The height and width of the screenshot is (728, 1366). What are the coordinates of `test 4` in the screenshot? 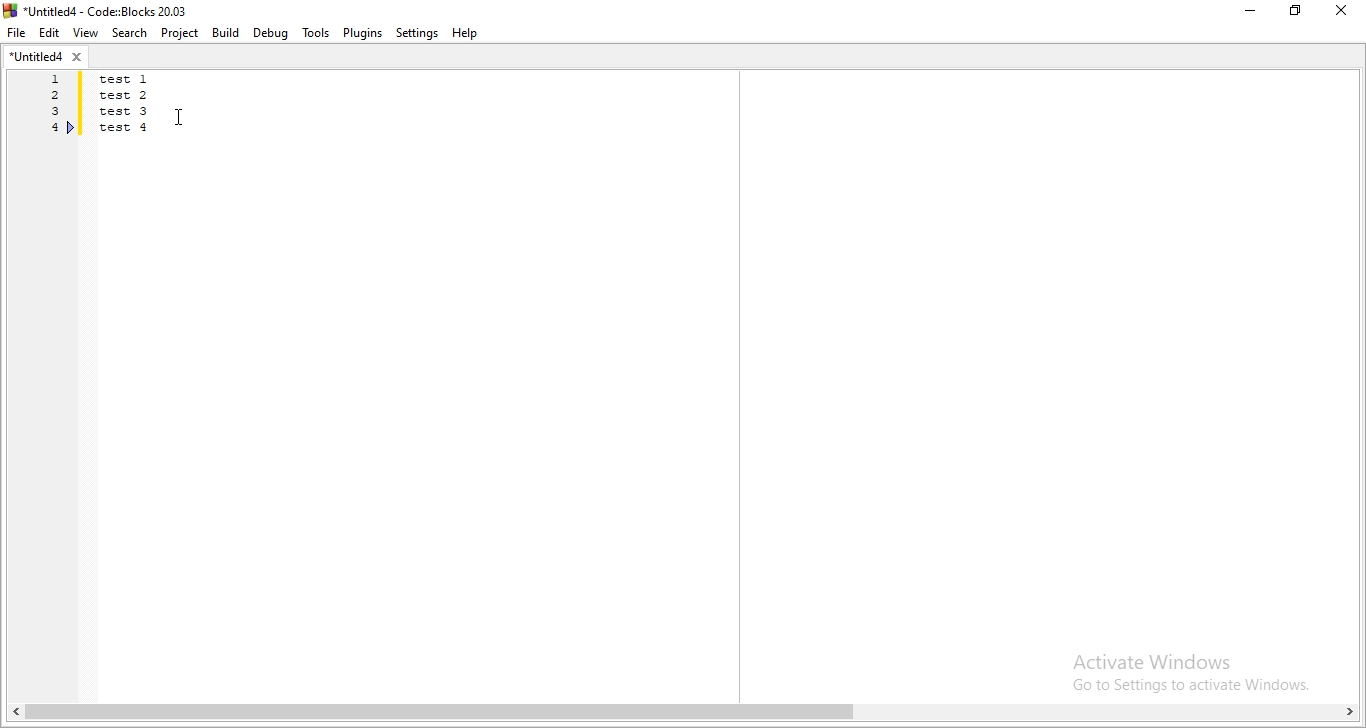 It's located at (126, 127).